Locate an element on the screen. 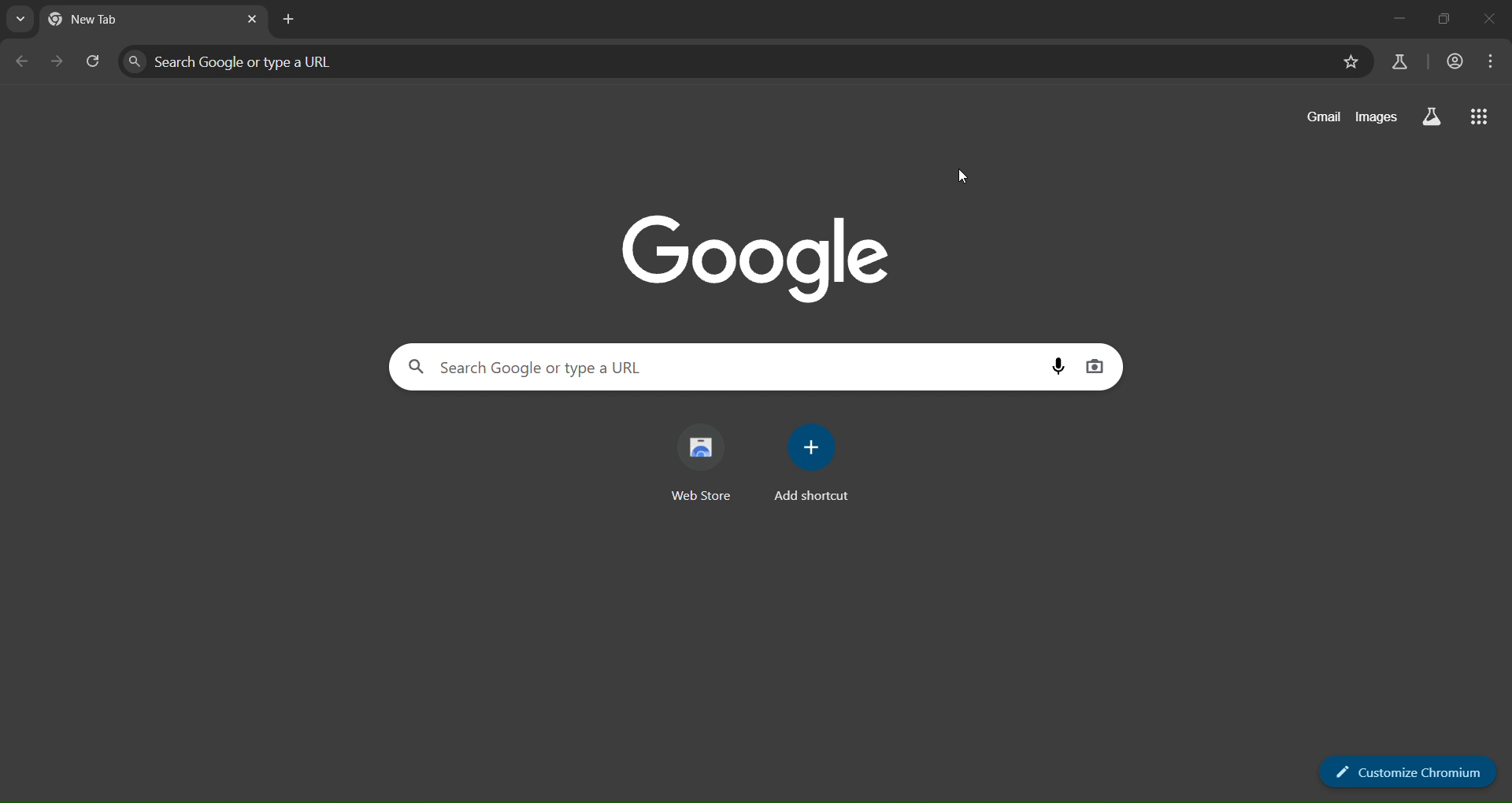 The height and width of the screenshot is (803, 1512). voice search is located at coordinates (1058, 365).